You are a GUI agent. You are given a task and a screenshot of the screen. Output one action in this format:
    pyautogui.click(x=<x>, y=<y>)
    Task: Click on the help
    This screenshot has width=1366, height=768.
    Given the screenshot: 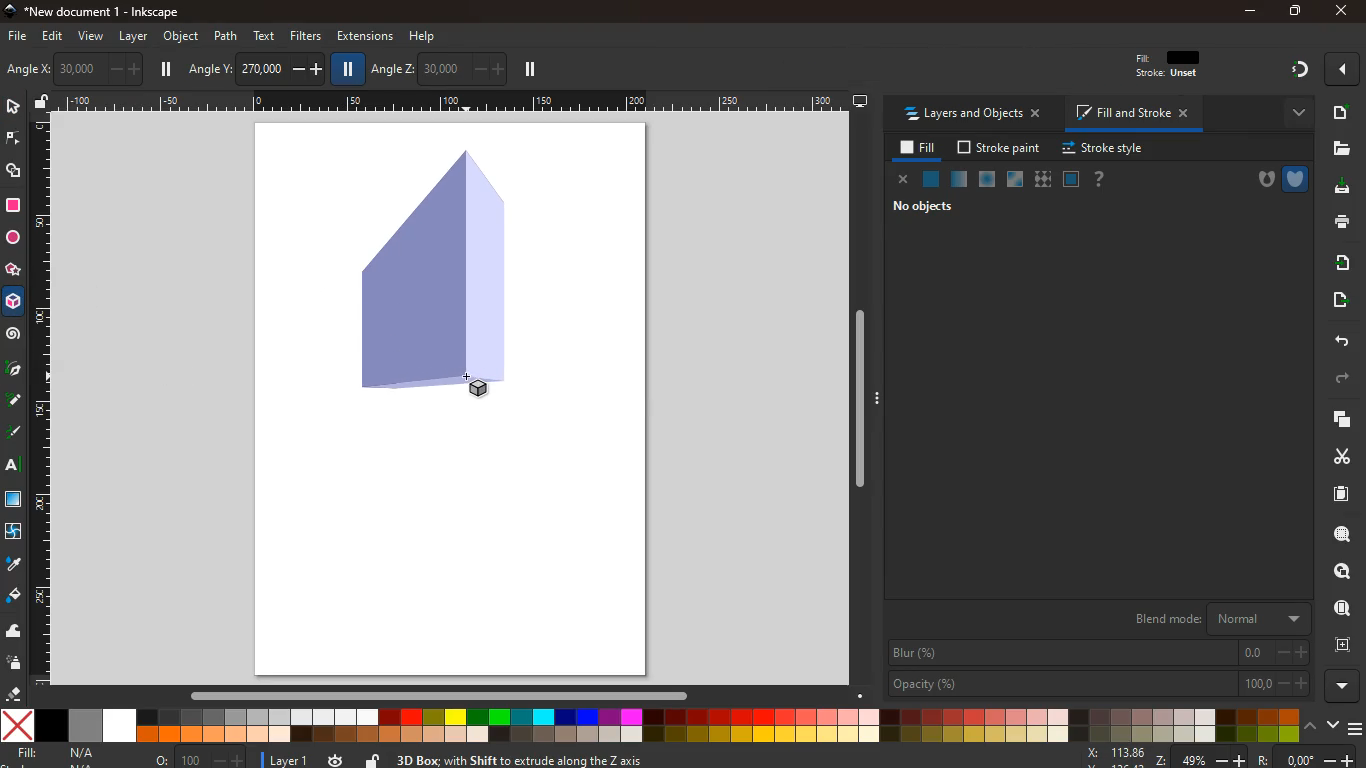 What is the action you would take?
    pyautogui.click(x=424, y=34)
    